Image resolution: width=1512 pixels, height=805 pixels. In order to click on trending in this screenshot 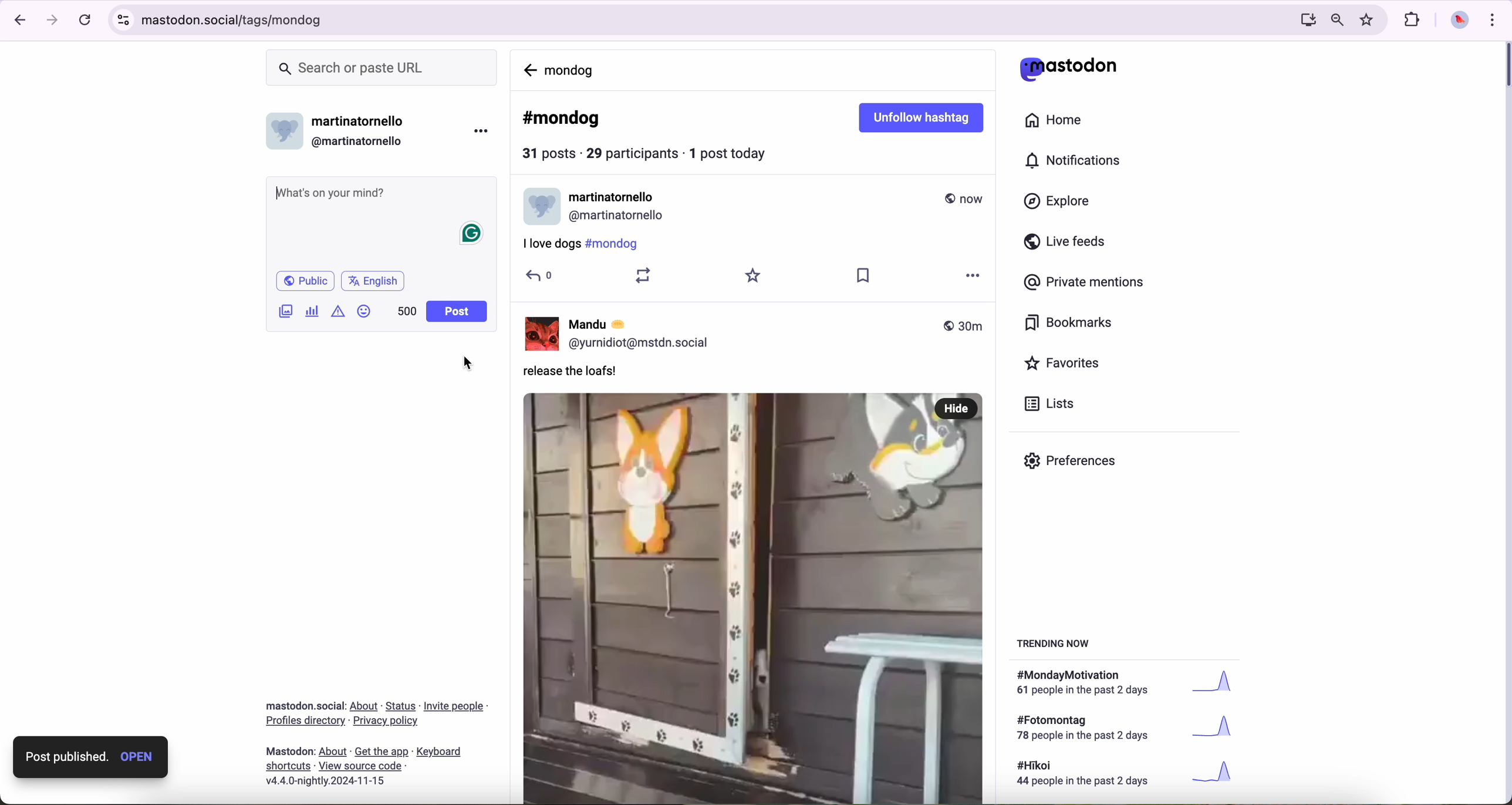, I will do `click(1057, 646)`.